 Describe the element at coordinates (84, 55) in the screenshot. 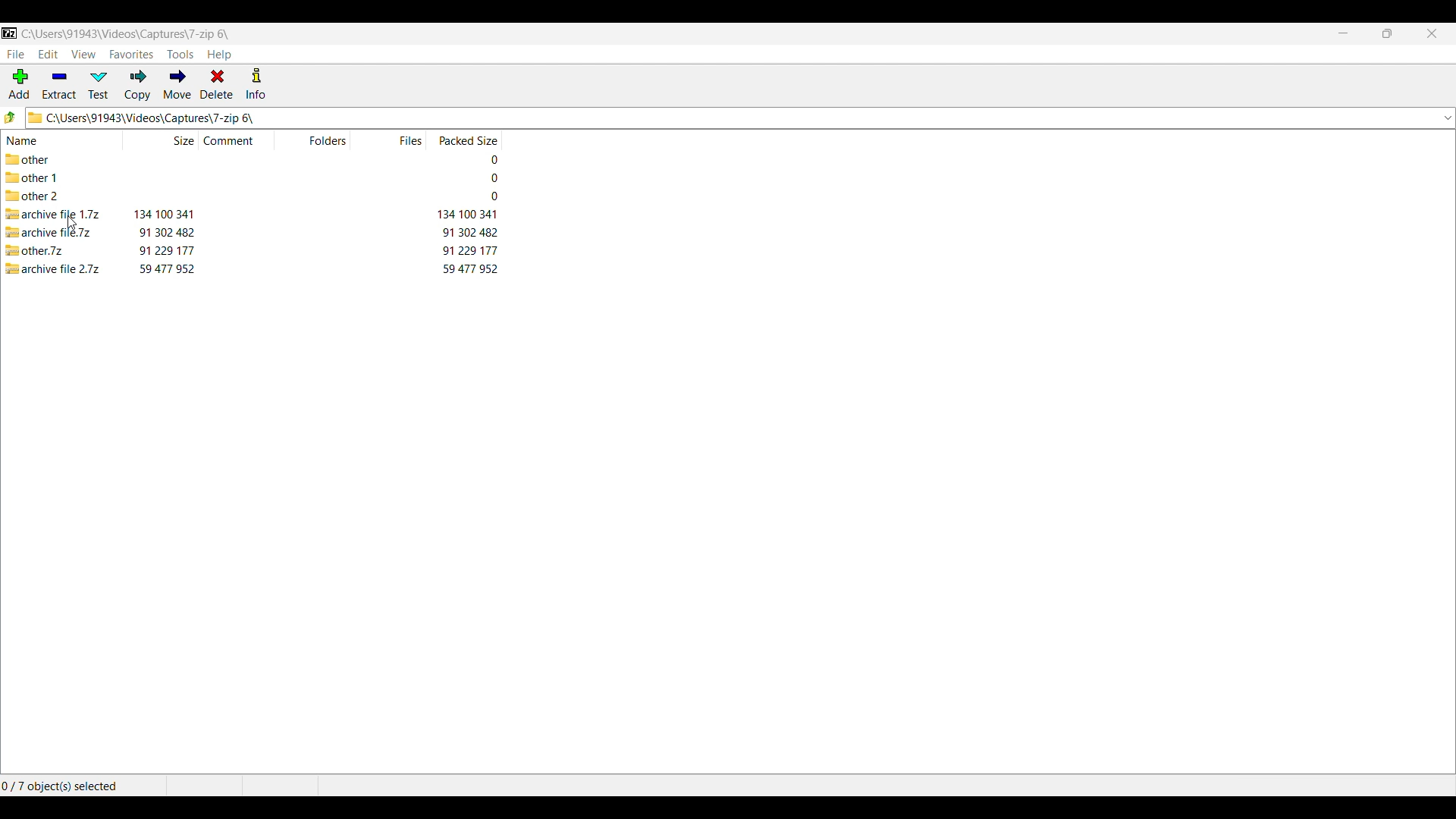

I see `View` at that location.